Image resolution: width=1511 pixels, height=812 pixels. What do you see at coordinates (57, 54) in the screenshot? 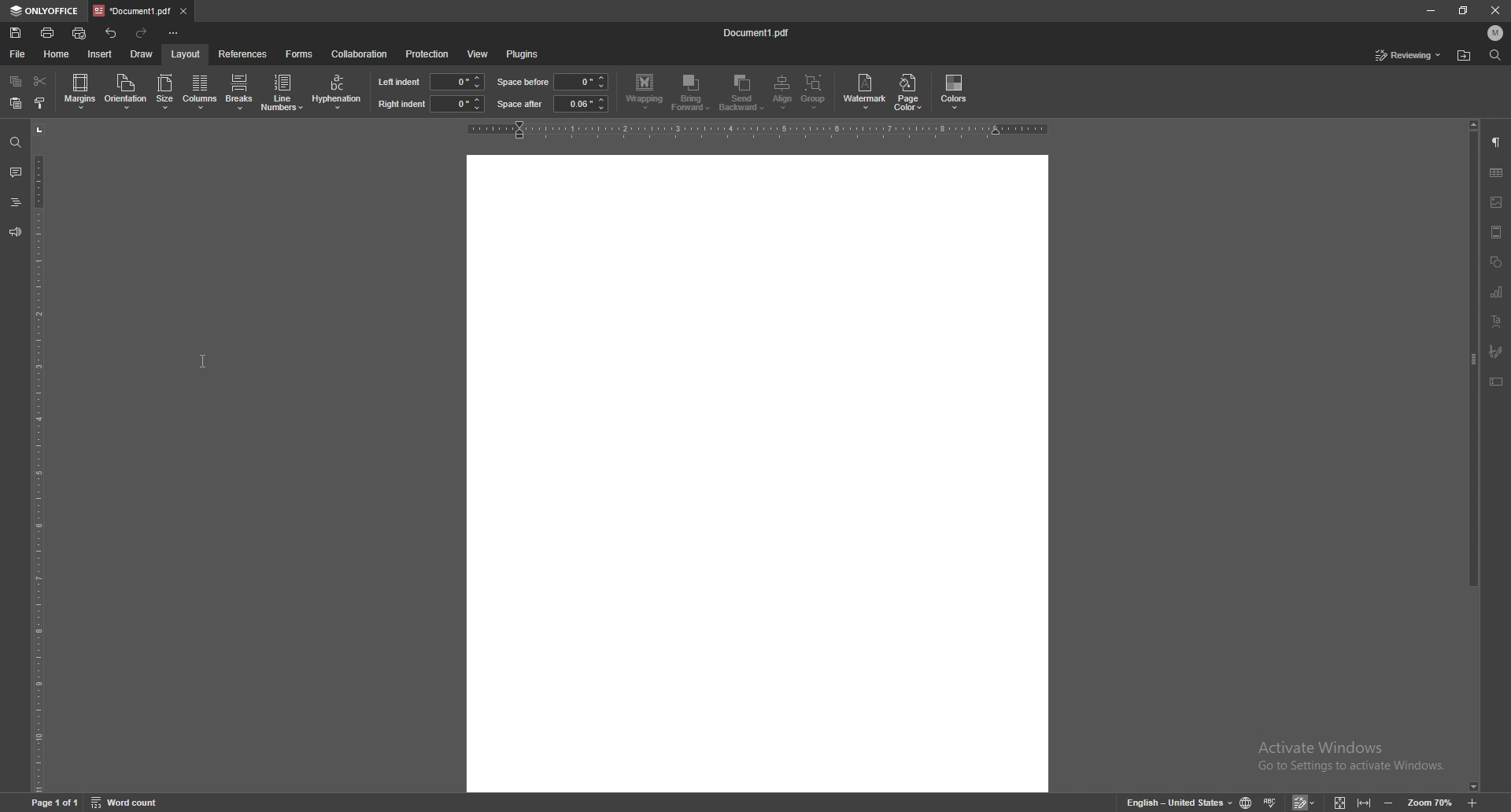
I see `home` at bounding box center [57, 54].